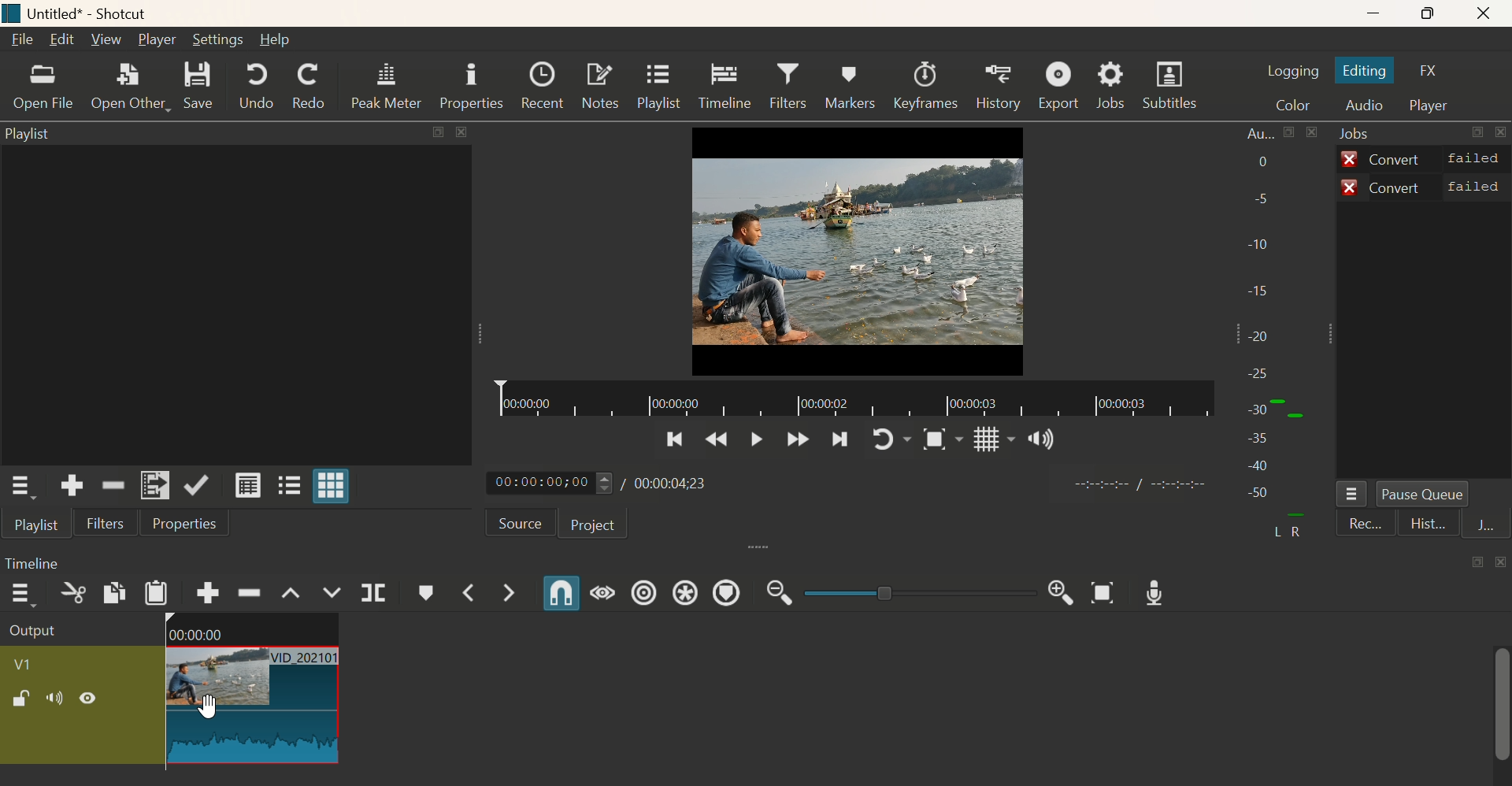 This screenshot has height=786, width=1512. I want to click on Ripple, so click(250, 593).